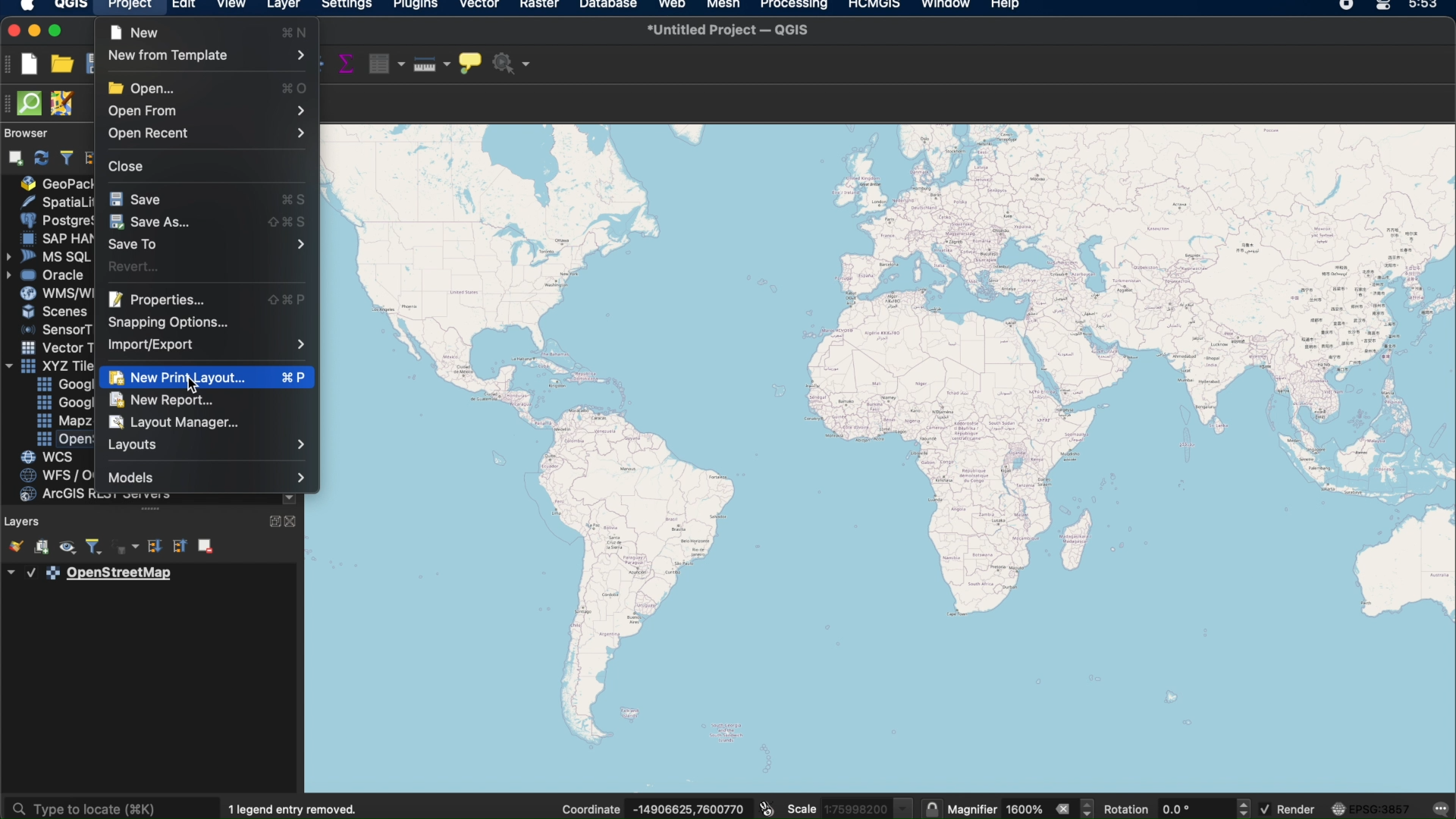 The width and height of the screenshot is (1456, 819). Describe the element at coordinates (33, 105) in the screenshot. I see `QuickOSm` at that location.